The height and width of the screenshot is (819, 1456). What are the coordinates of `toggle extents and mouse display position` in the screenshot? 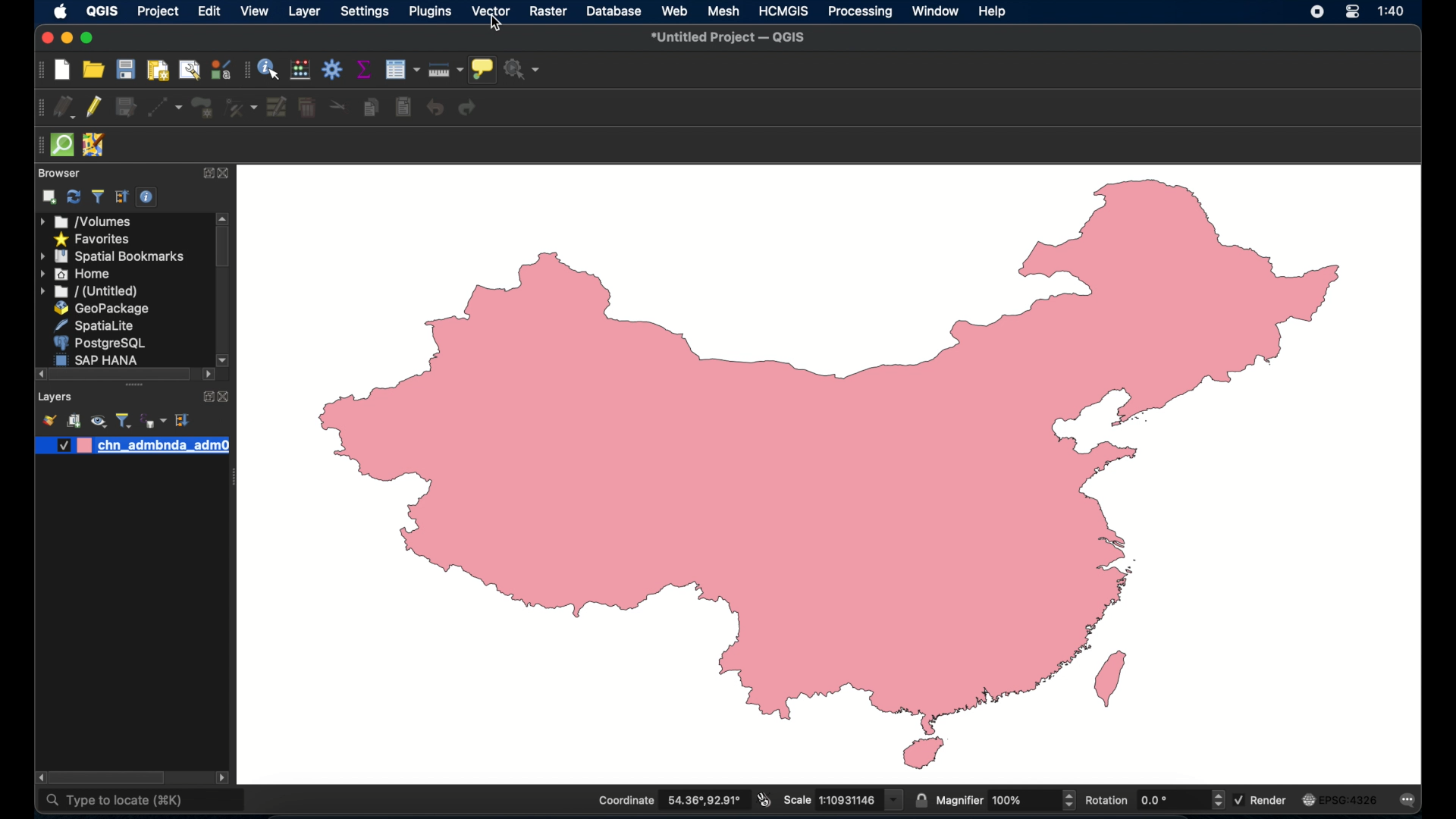 It's located at (764, 799).